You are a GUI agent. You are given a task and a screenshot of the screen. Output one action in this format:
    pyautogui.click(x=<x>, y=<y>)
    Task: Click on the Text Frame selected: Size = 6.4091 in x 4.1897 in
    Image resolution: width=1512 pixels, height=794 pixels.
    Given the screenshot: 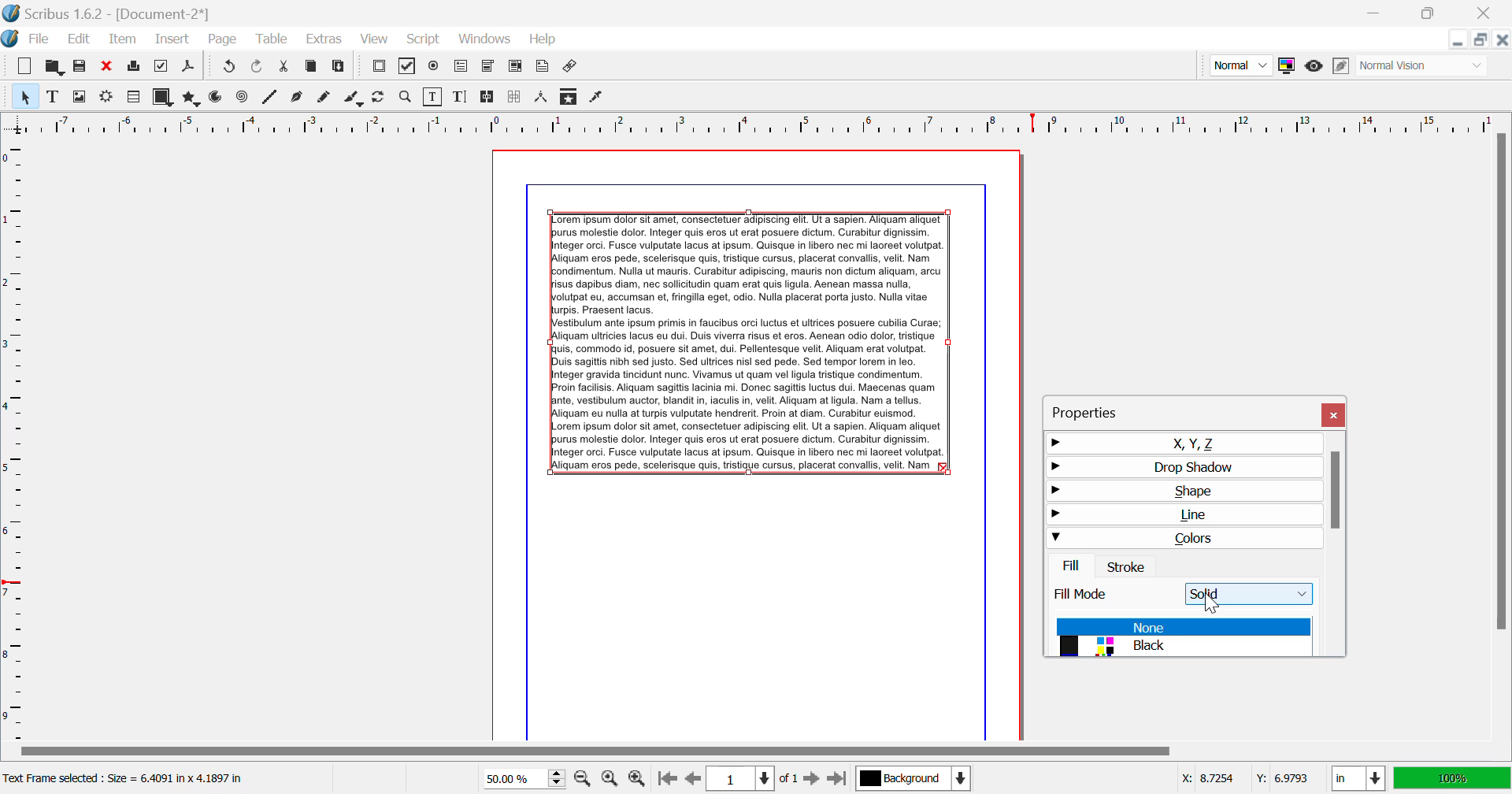 What is the action you would take?
    pyautogui.click(x=127, y=779)
    